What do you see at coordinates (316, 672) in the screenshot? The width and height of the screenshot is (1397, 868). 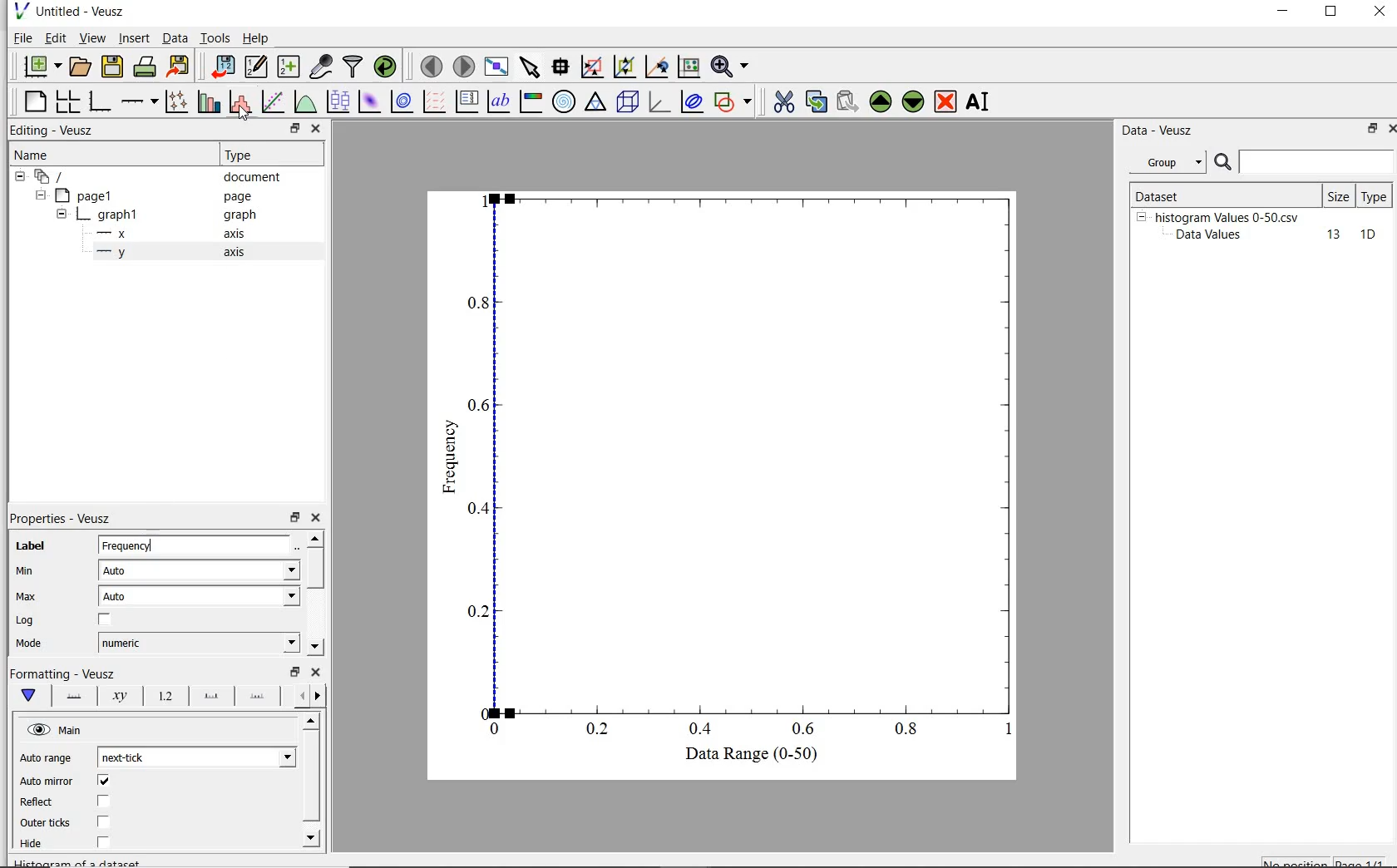 I see `close` at bounding box center [316, 672].